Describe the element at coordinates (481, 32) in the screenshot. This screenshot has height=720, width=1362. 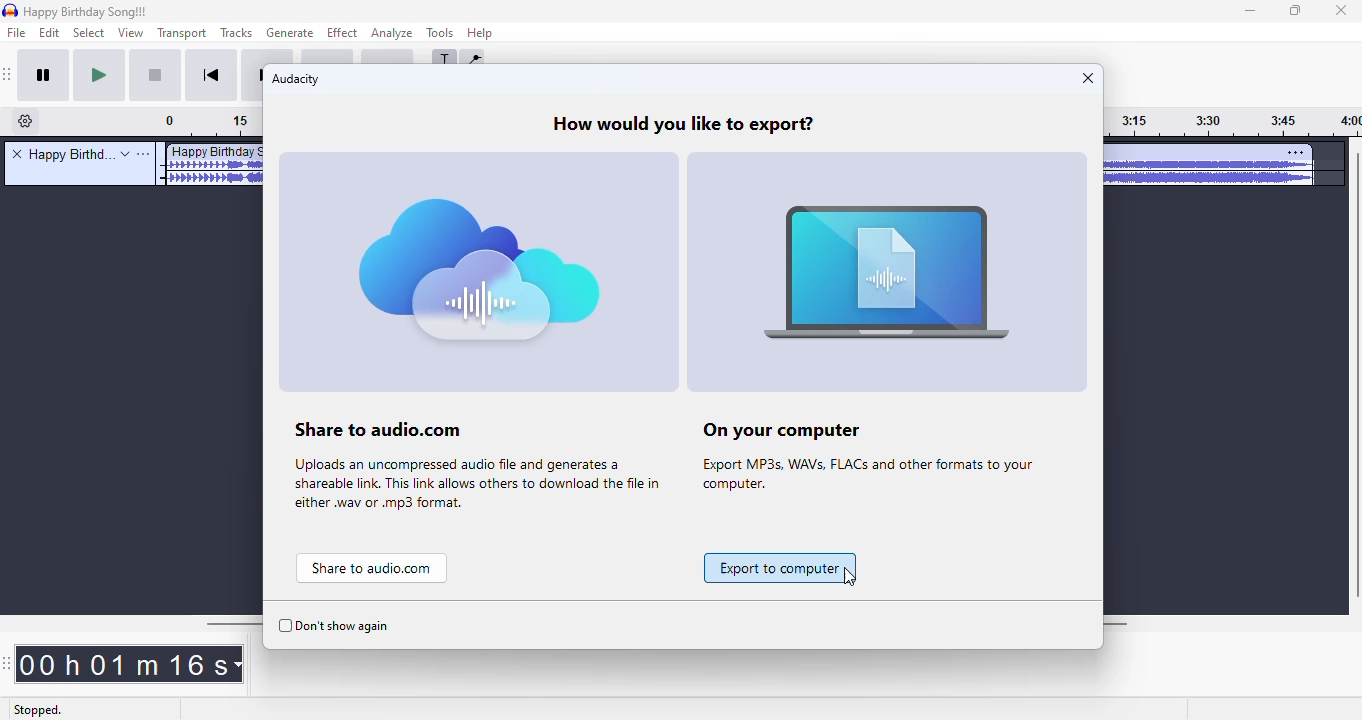
I see `help` at that location.